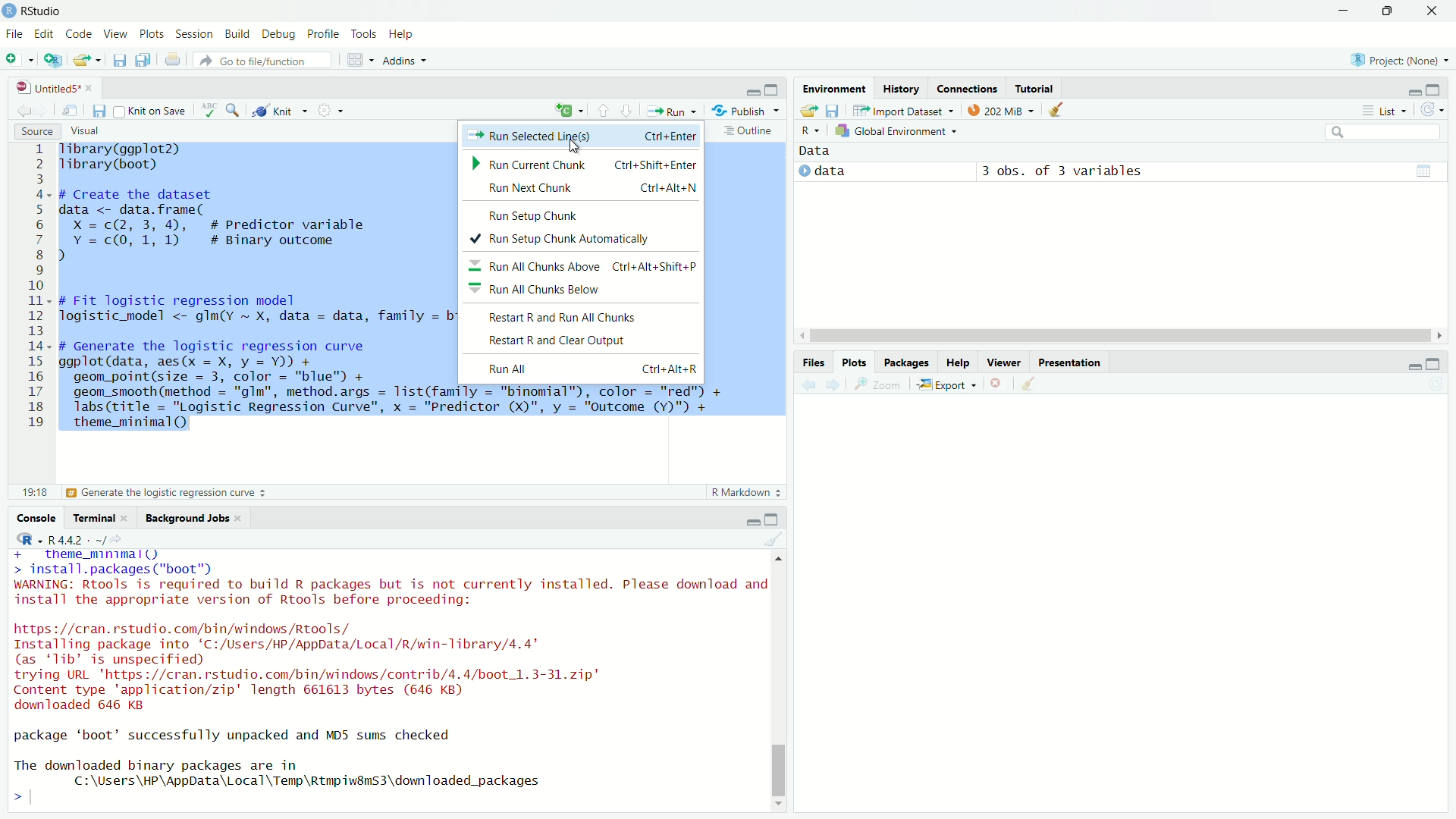 Image resolution: width=1456 pixels, height=819 pixels. I want to click on Profile, so click(322, 33).